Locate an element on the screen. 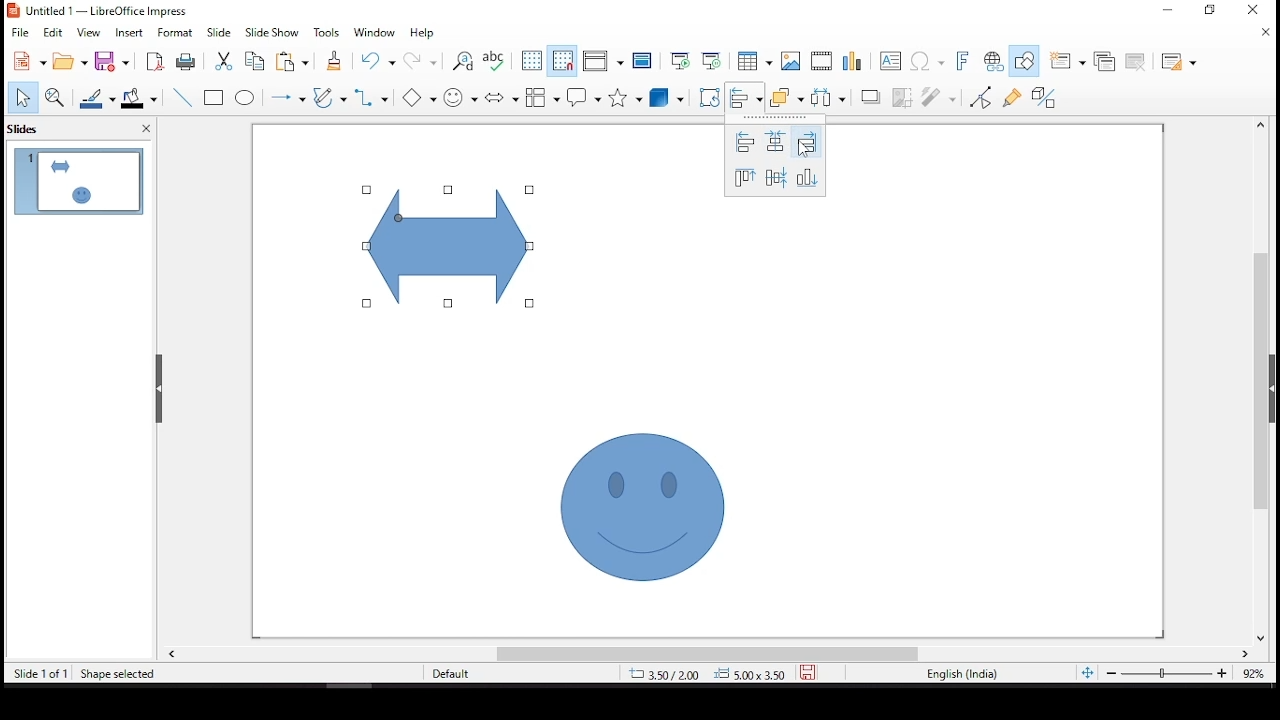  rectangle is located at coordinates (216, 99).